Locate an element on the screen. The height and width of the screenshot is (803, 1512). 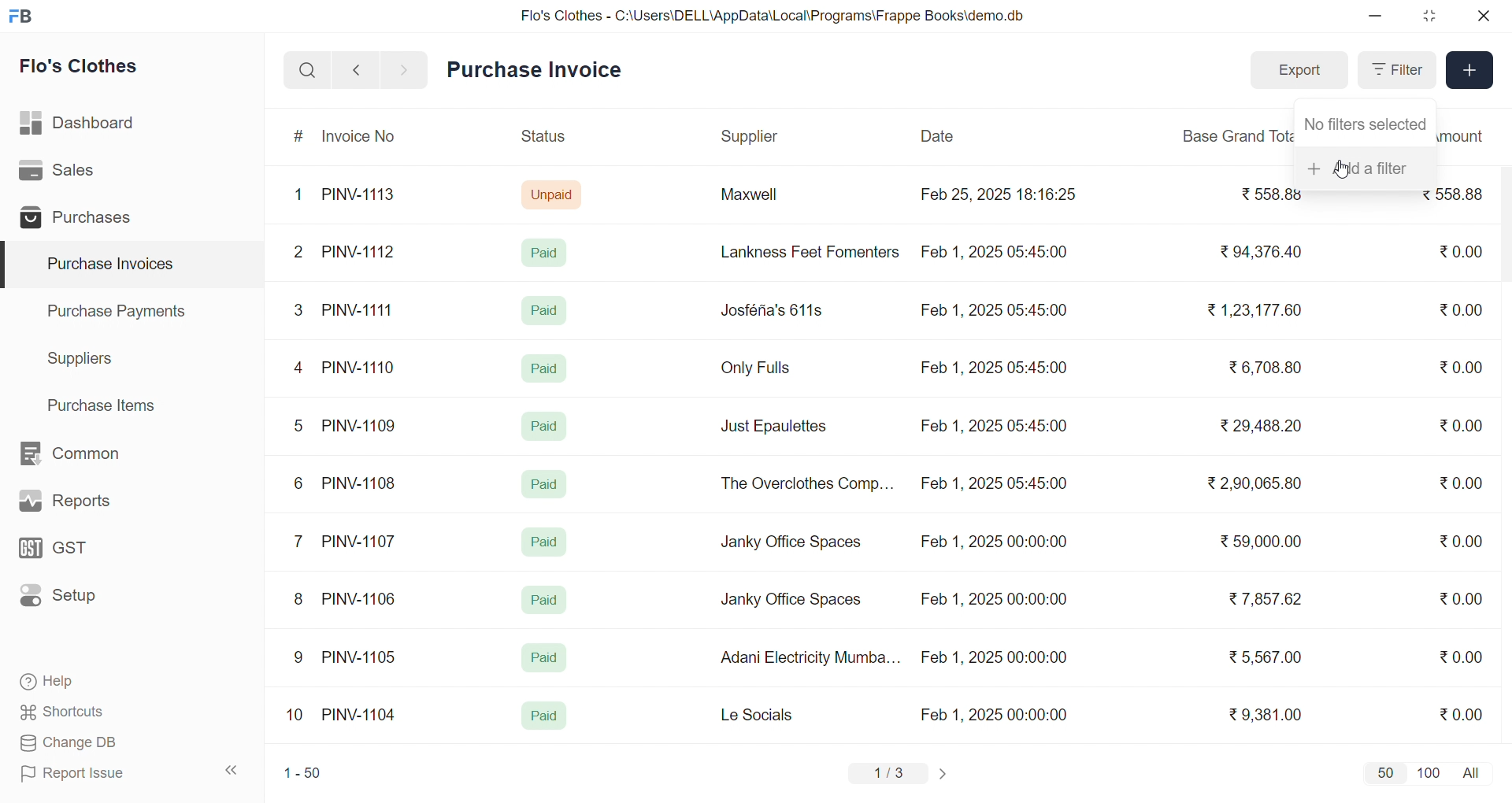
Outstanding Amount is located at coordinates (1466, 136).